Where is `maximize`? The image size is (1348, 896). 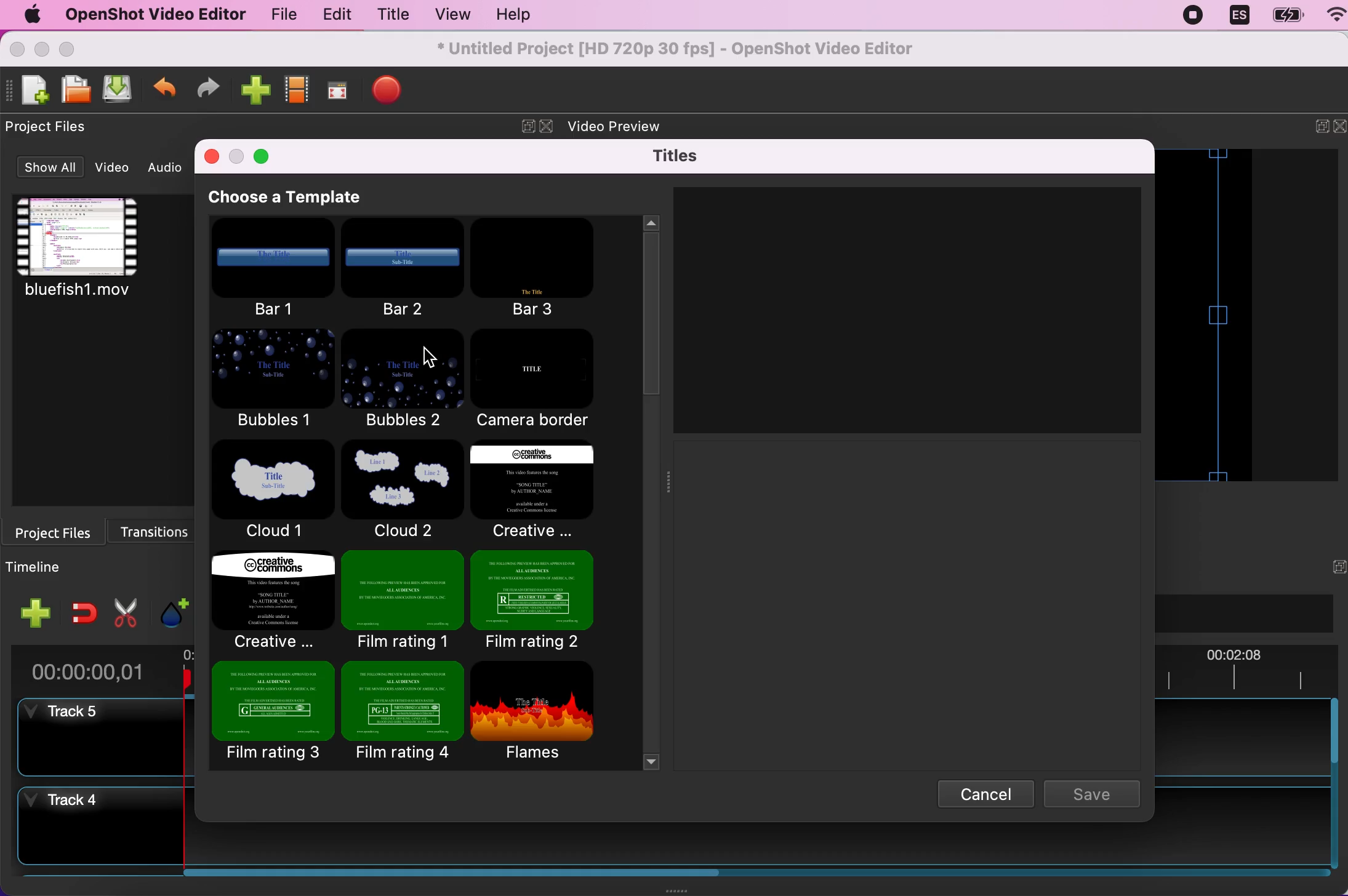
maximize is located at coordinates (263, 154).